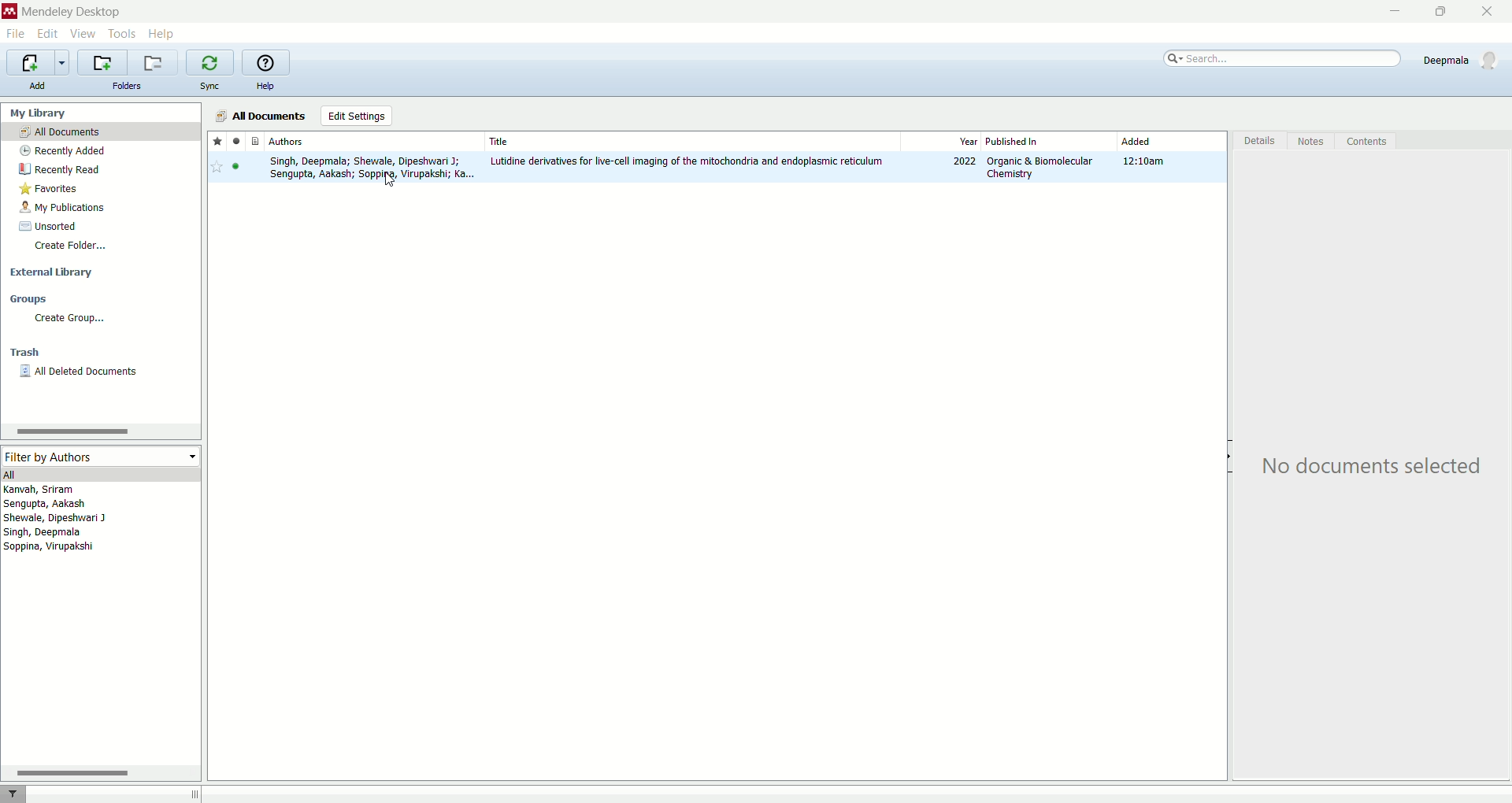  I want to click on scroll bar, so click(98, 772).